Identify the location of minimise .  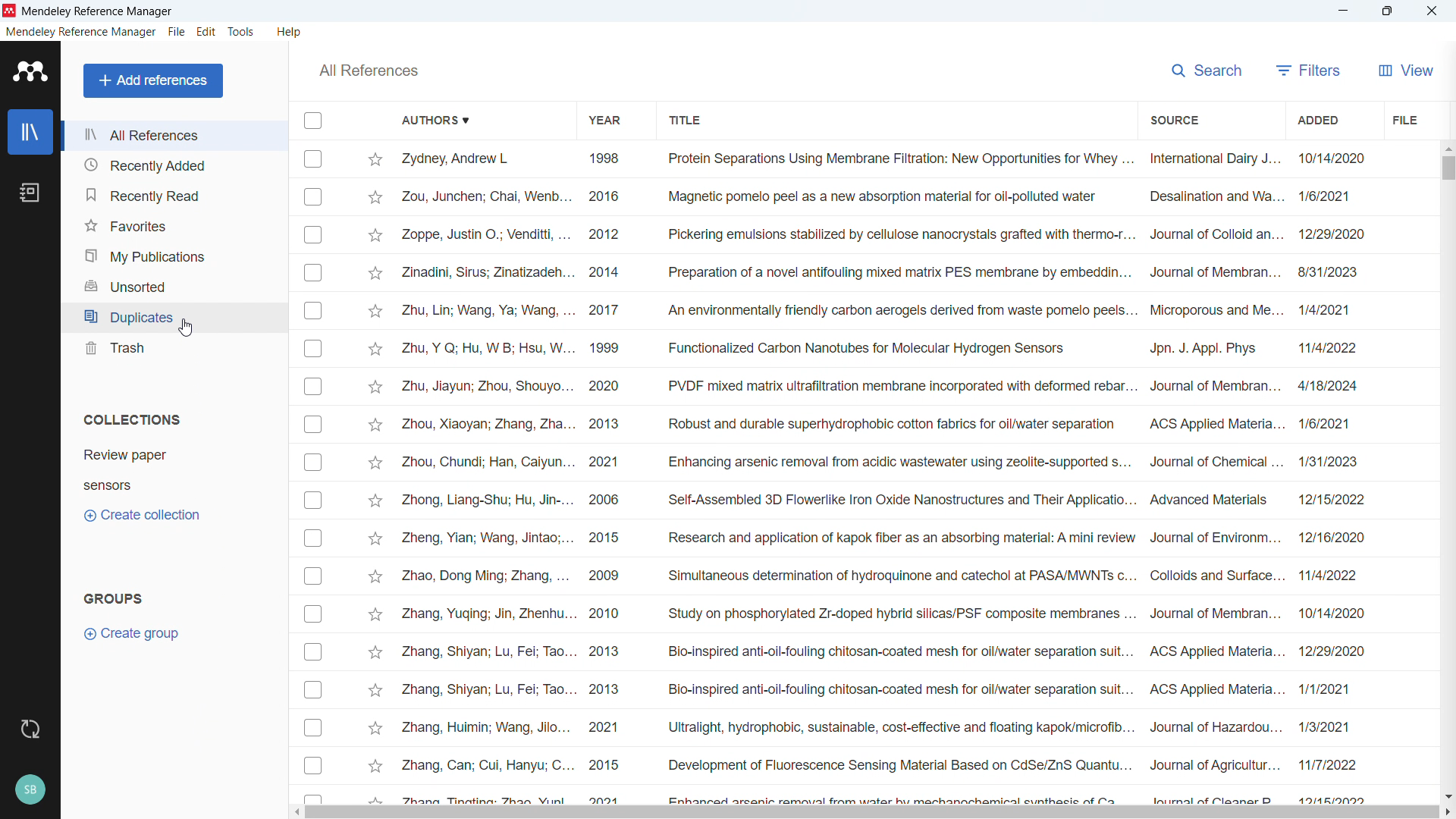
(1344, 11).